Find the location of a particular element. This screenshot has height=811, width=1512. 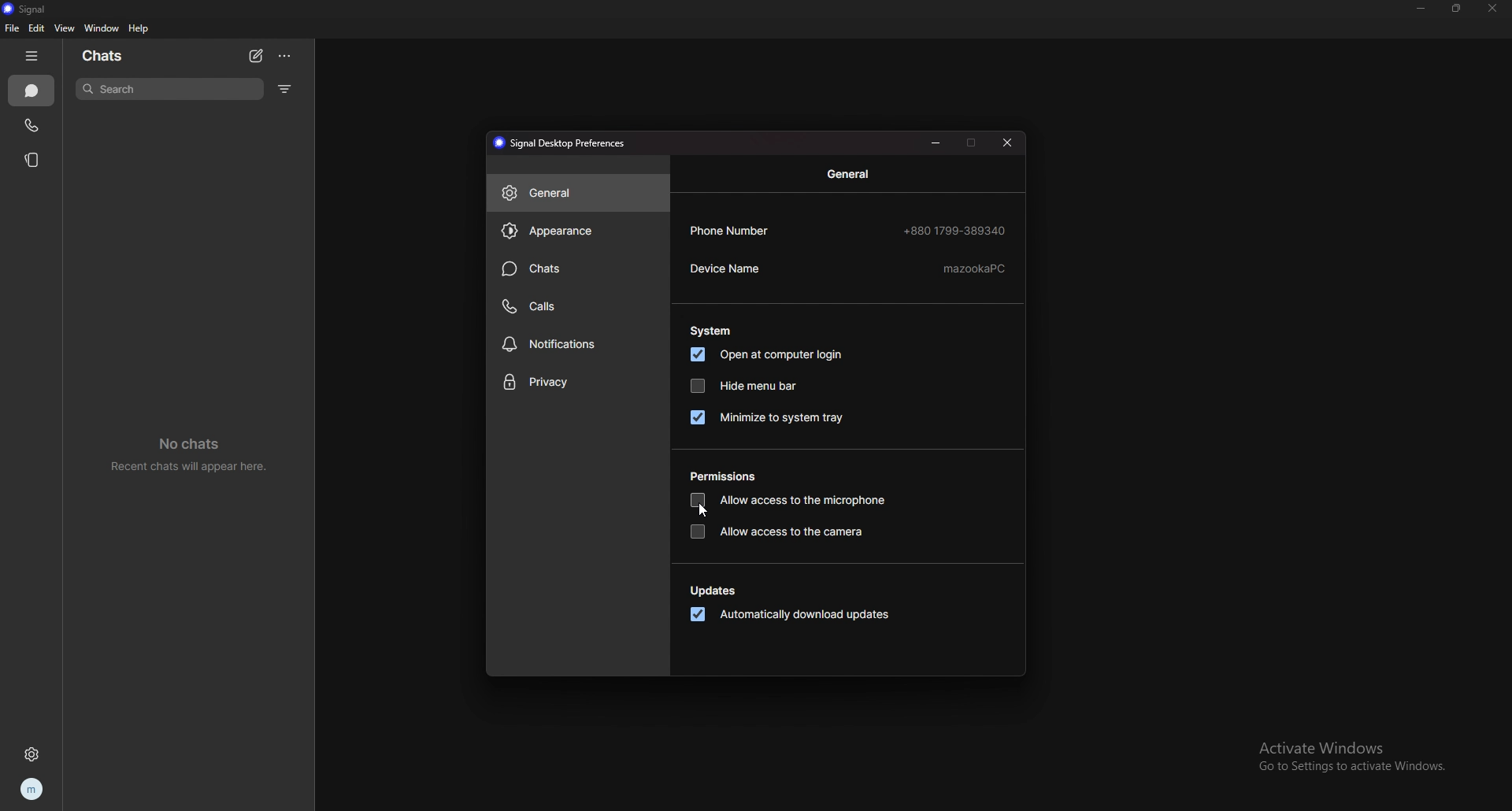

close is located at coordinates (1006, 143).